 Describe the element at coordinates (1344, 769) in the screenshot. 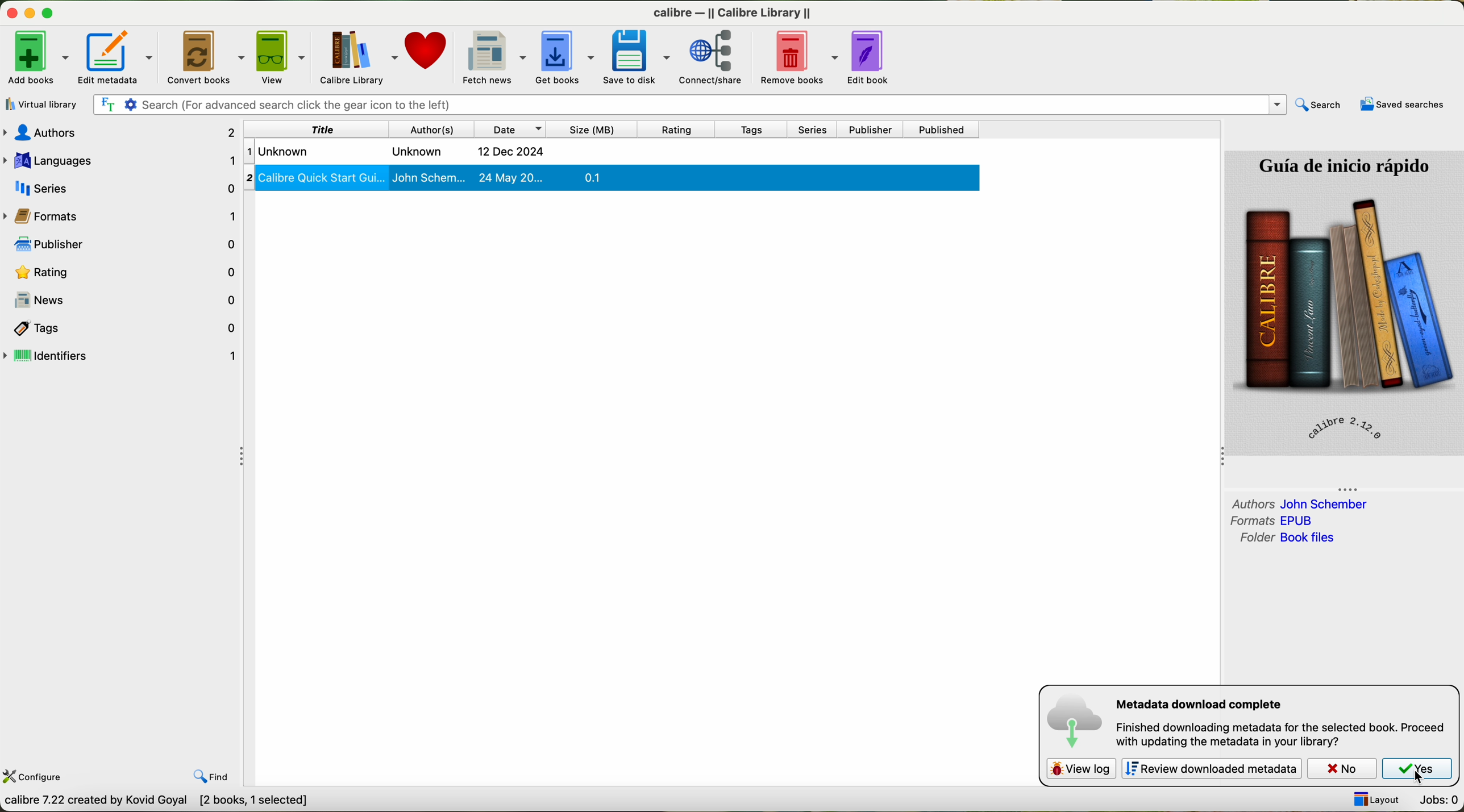

I see `no` at that location.